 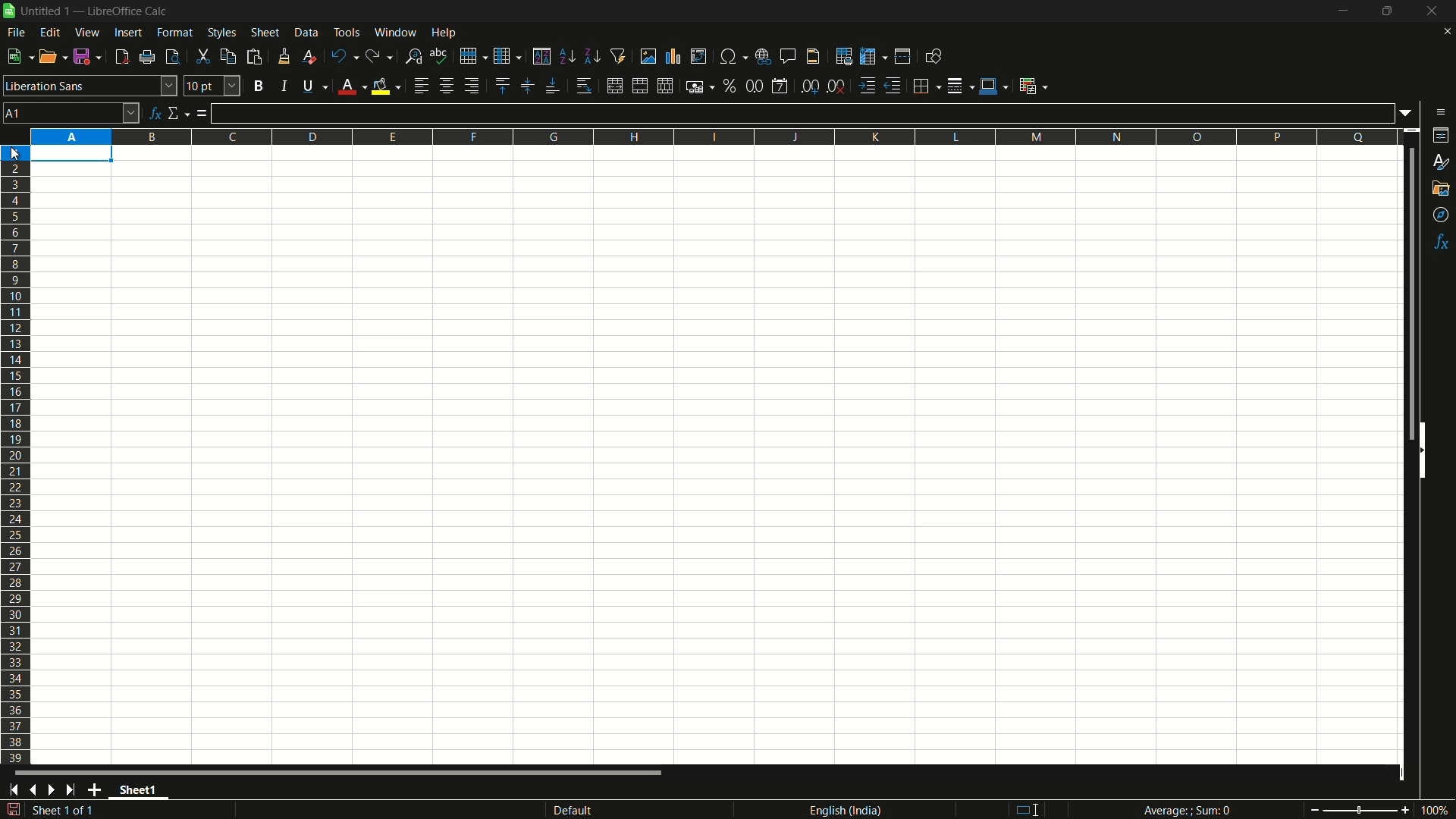 What do you see at coordinates (587, 86) in the screenshot?
I see `wrap text` at bounding box center [587, 86].